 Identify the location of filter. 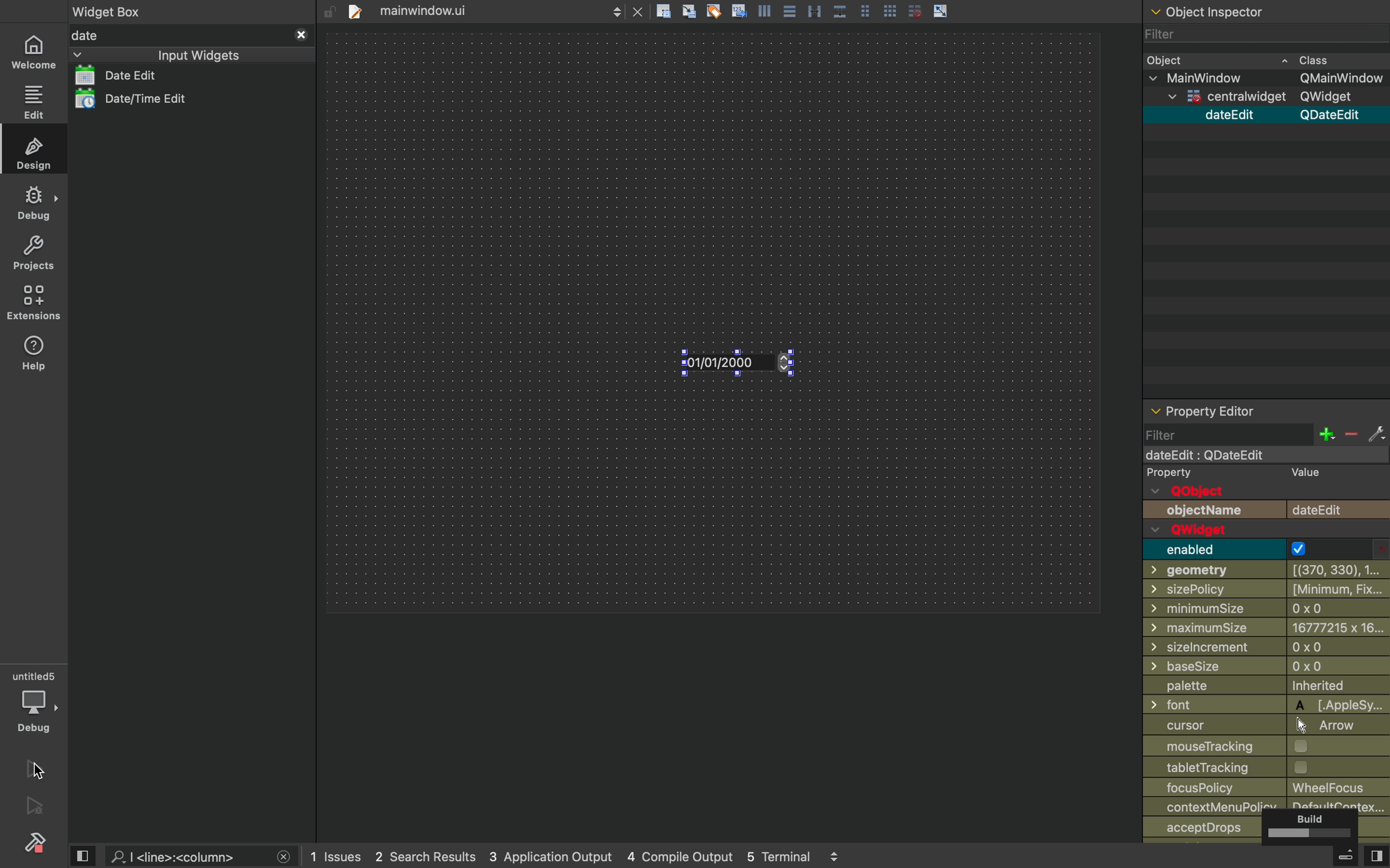
(1171, 33).